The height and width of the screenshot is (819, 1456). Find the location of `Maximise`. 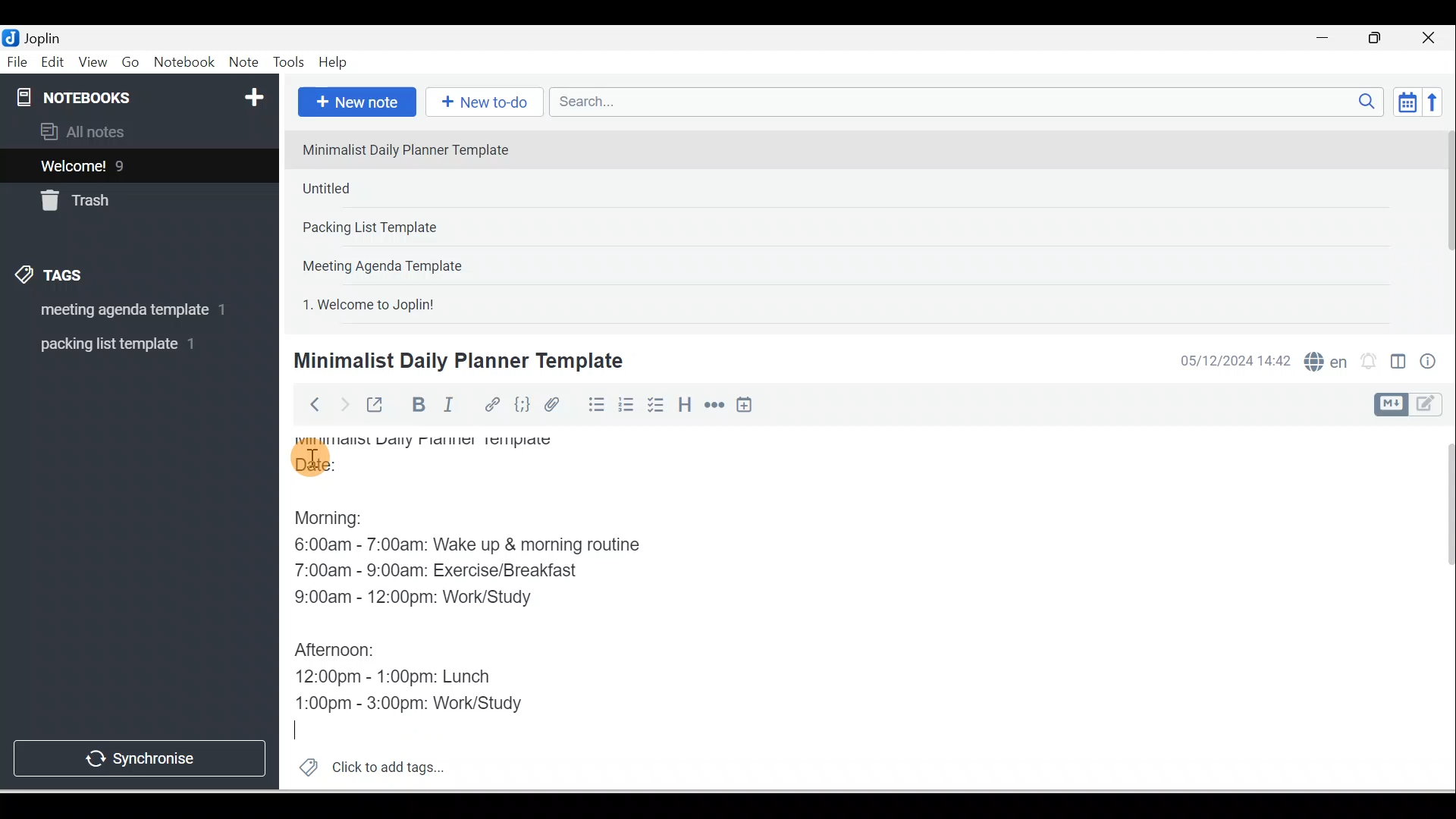

Maximise is located at coordinates (1380, 39).